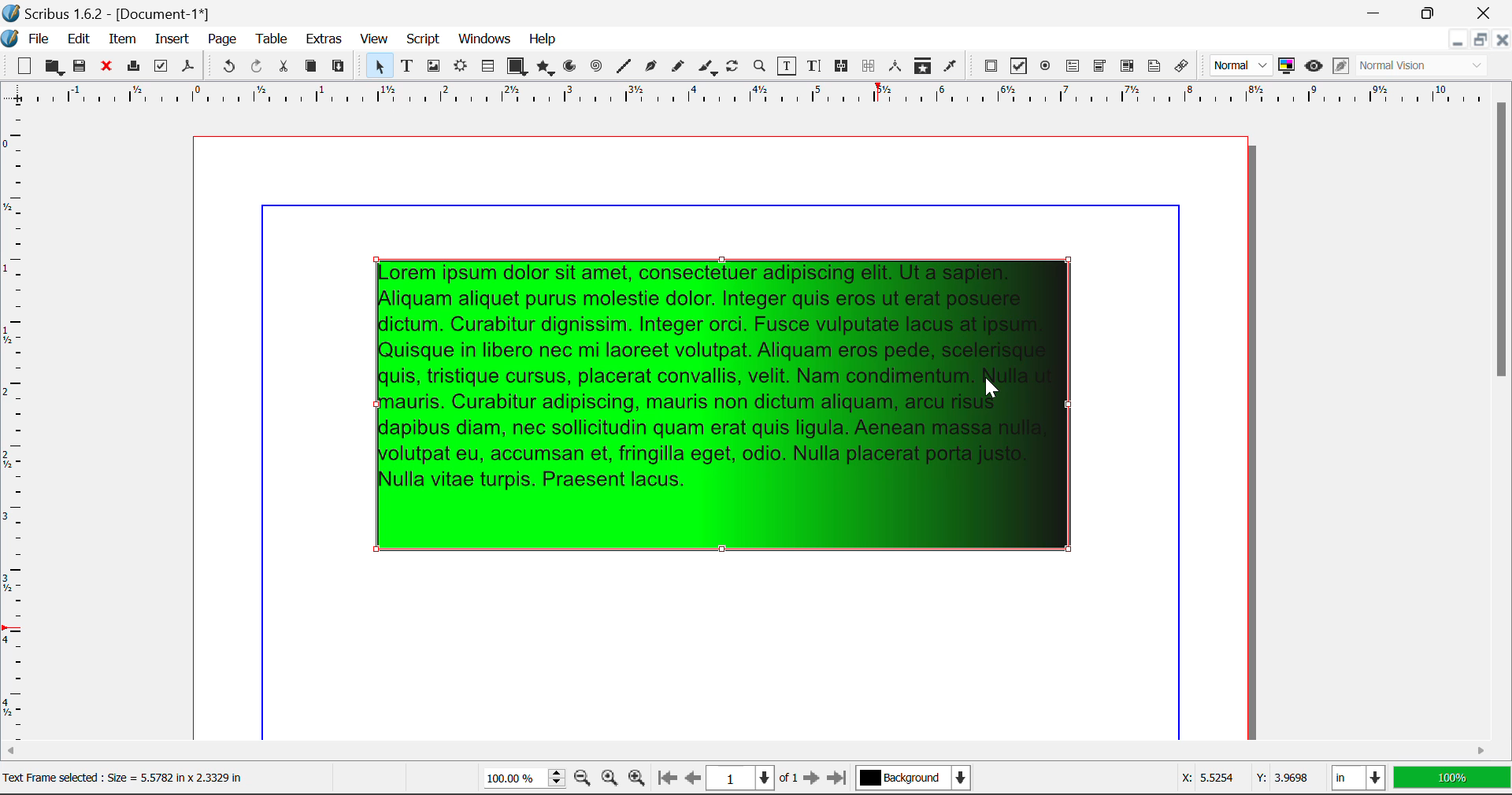 The image size is (1512, 795). What do you see at coordinates (572, 70) in the screenshot?
I see `Arcs` at bounding box center [572, 70].